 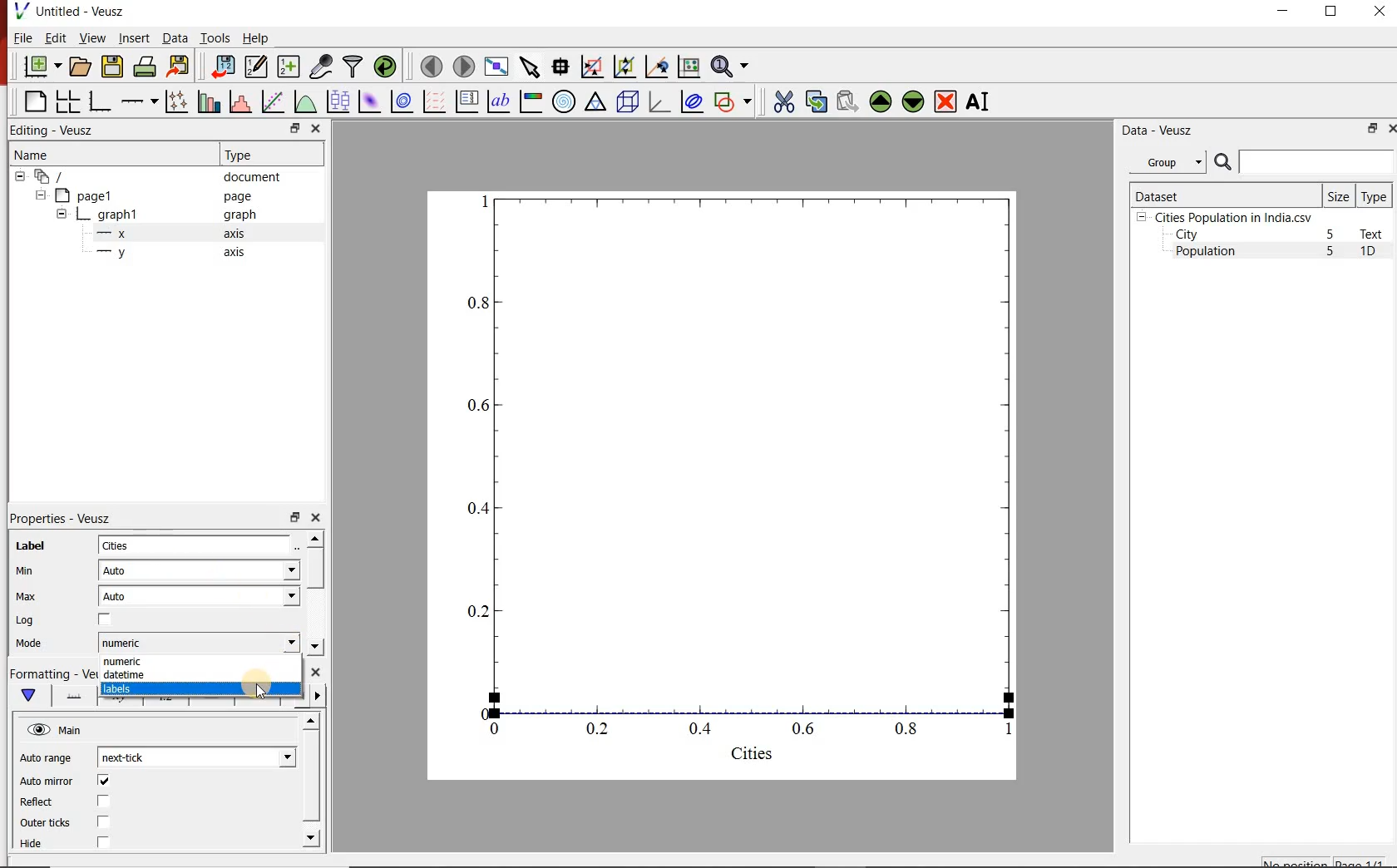 I want to click on Edit, so click(x=54, y=38).